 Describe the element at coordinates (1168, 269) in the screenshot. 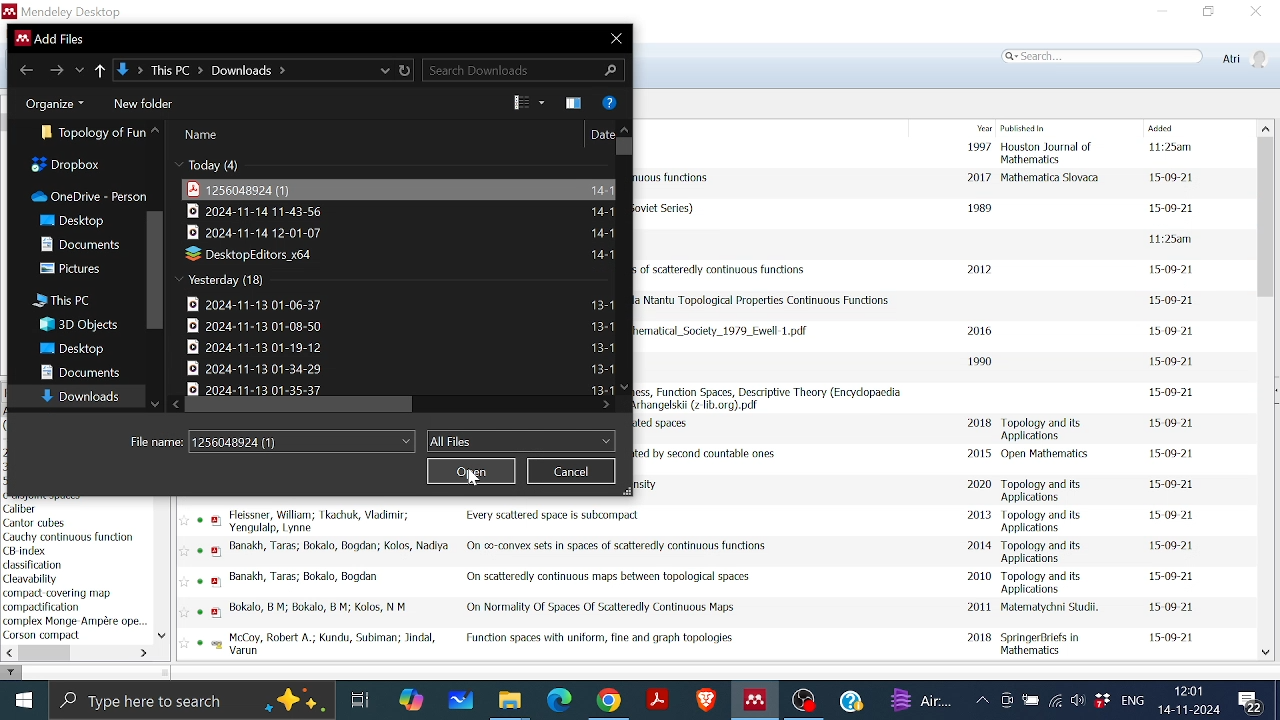

I see `date` at that location.